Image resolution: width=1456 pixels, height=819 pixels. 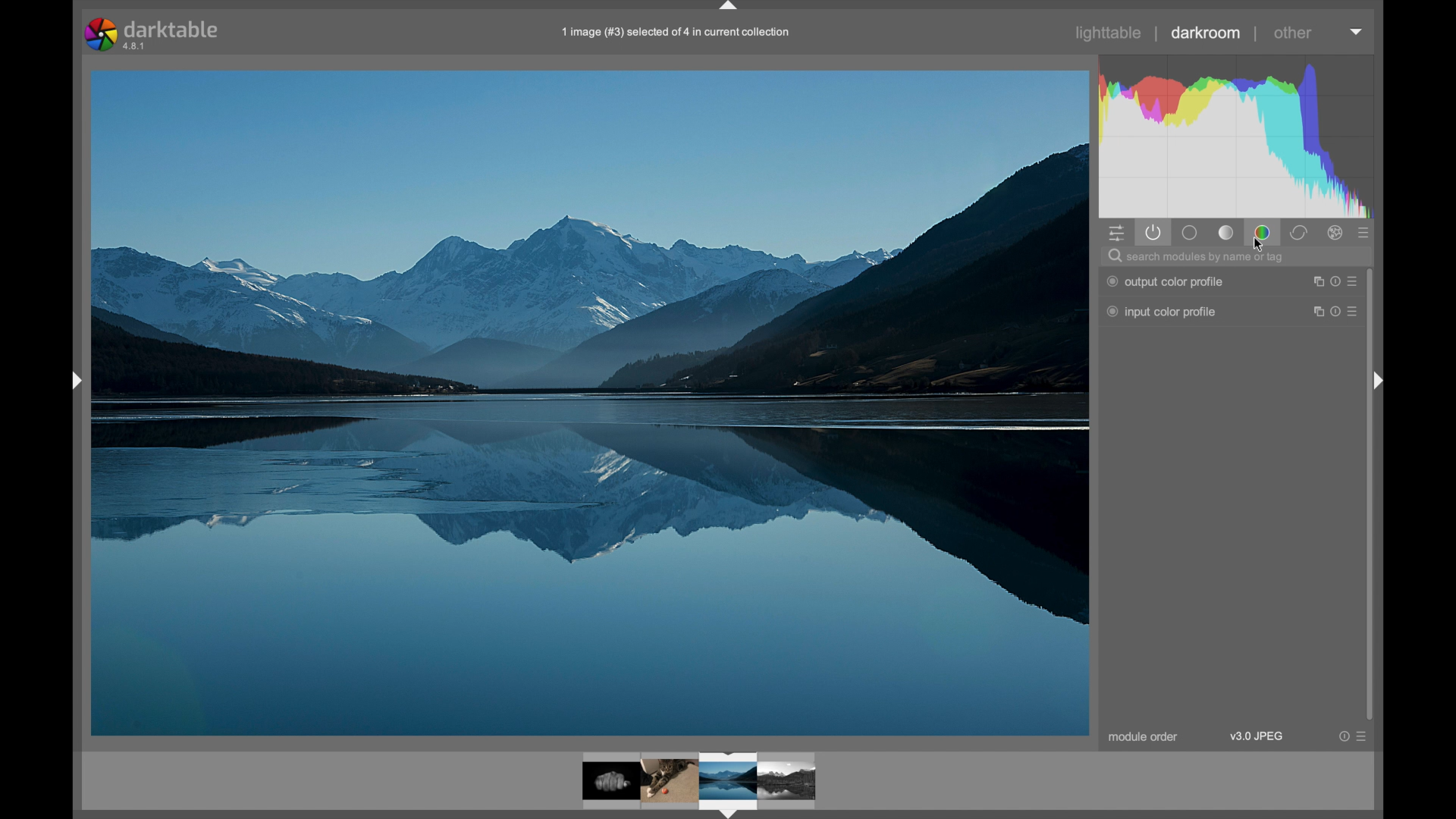 What do you see at coordinates (1207, 33) in the screenshot?
I see `darkroom` at bounding box center [1207, 33].